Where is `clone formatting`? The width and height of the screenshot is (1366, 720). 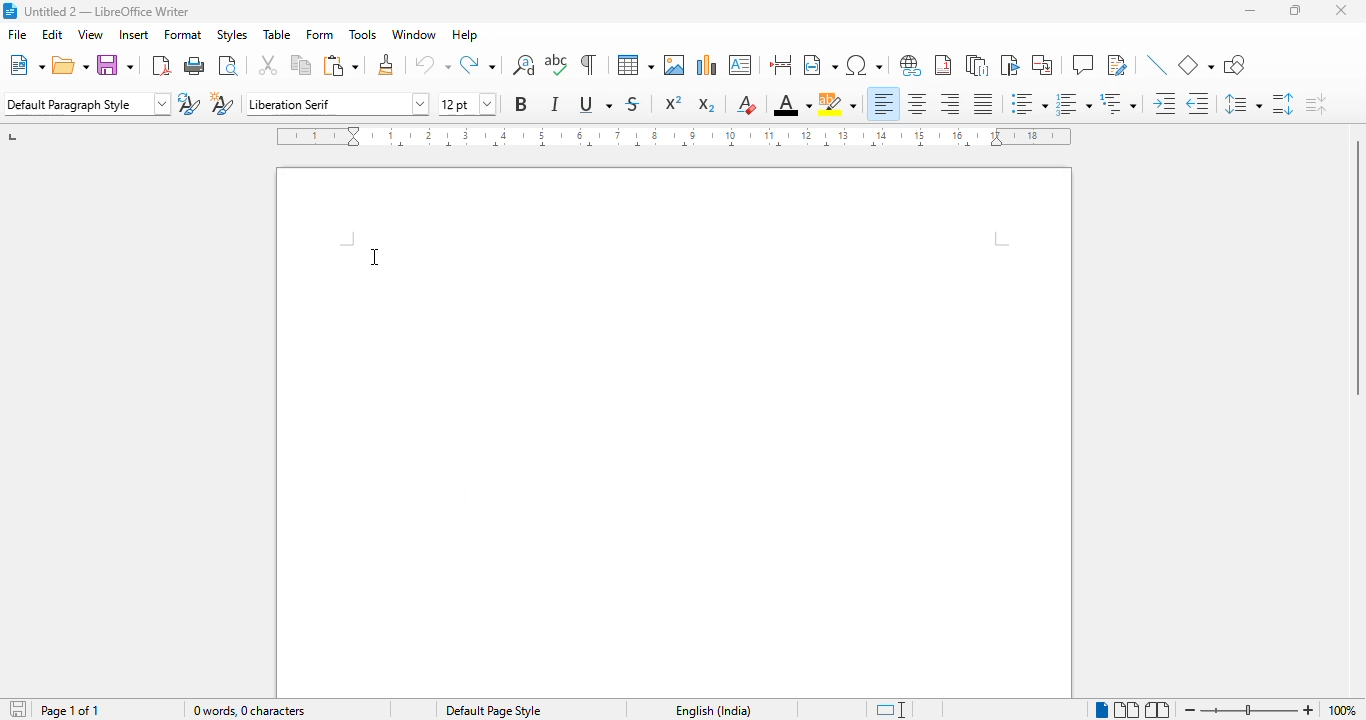
clone formatting is located at coordinates (386, 64).